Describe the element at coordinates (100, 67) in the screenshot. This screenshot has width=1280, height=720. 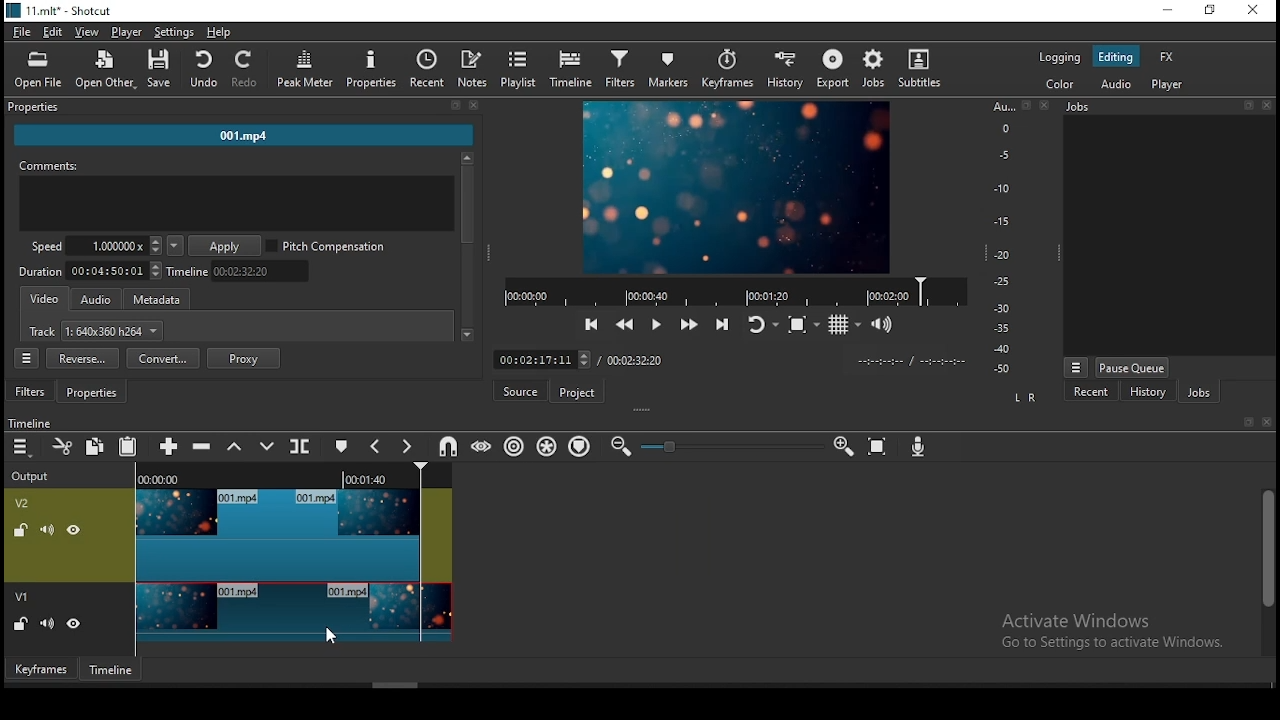
I see `open other` at that location.